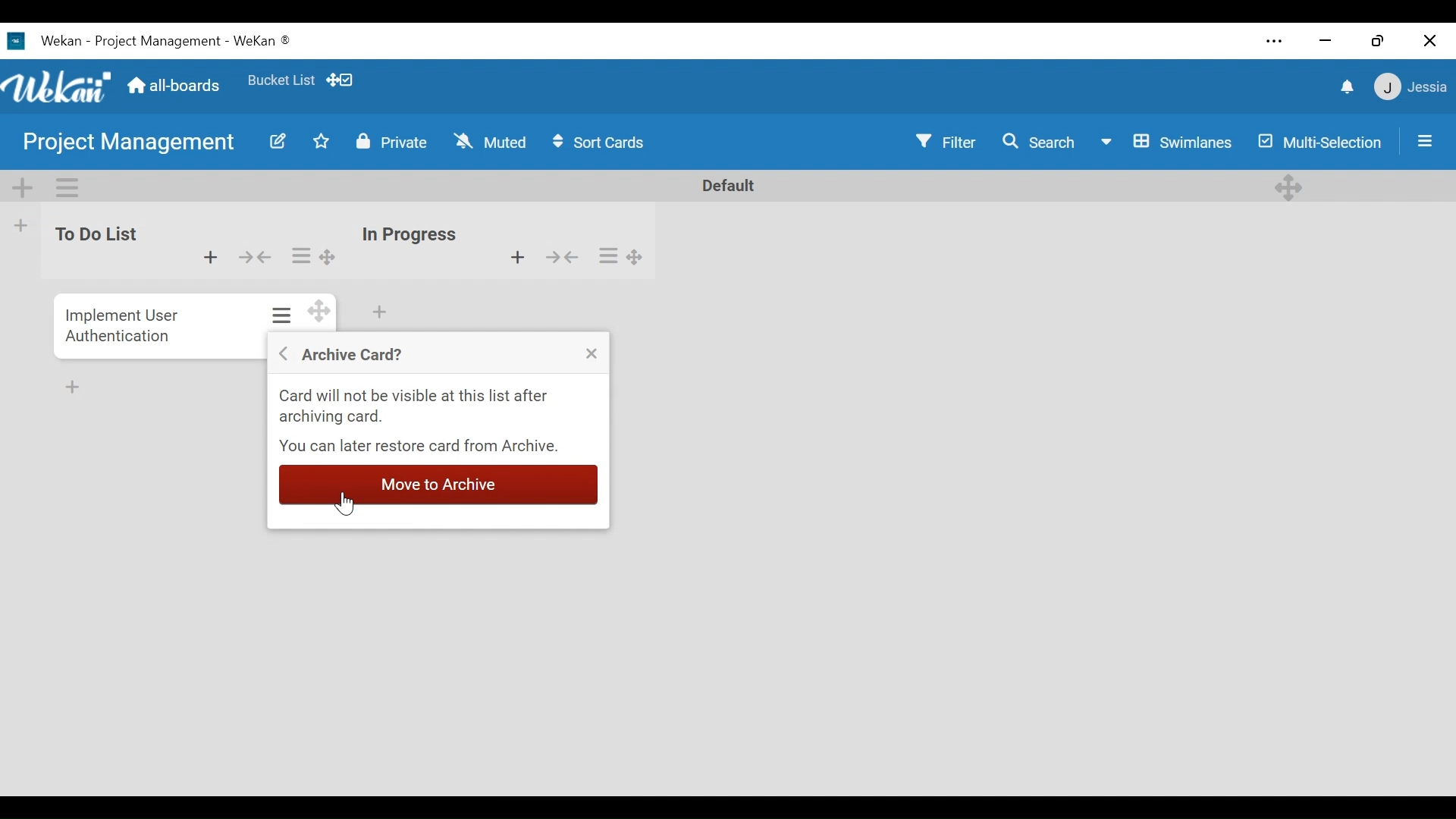  I want to click on Home (all-boars, so click(177, 86).